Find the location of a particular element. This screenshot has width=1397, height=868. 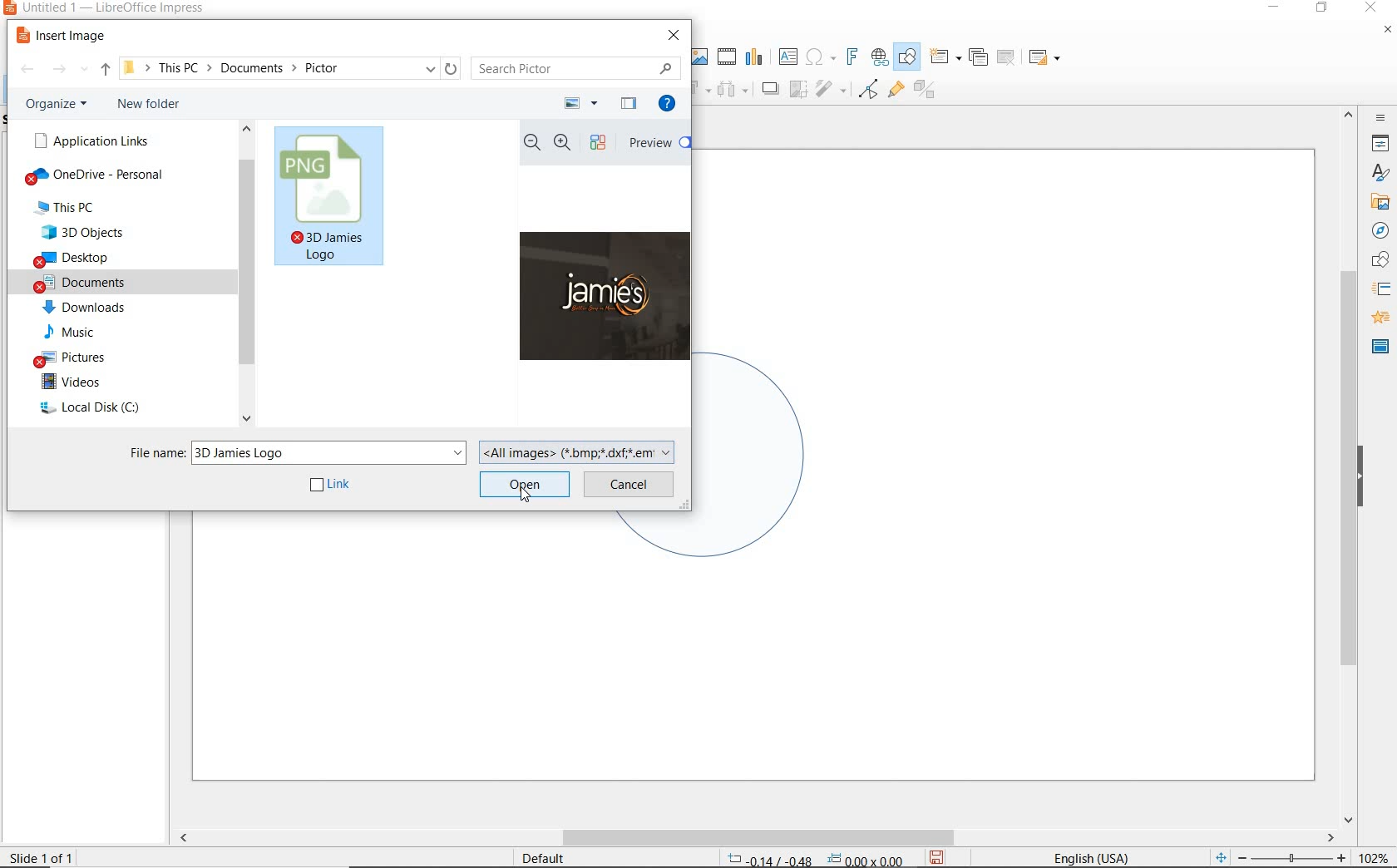

hide the preview pane is located at coordinates (629, 105).